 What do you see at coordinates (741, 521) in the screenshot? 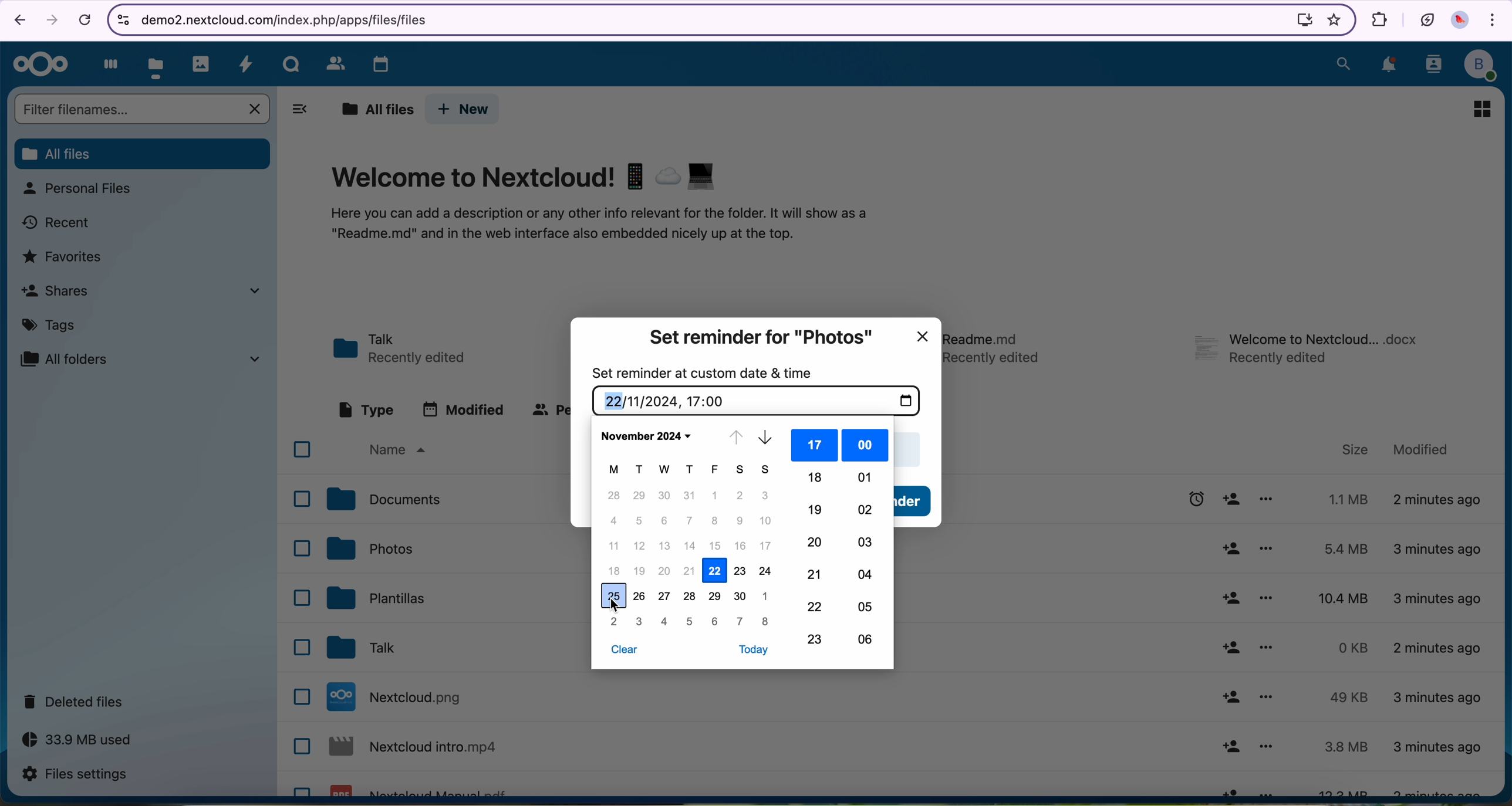
I see `9` at bounding box center [741, 521].